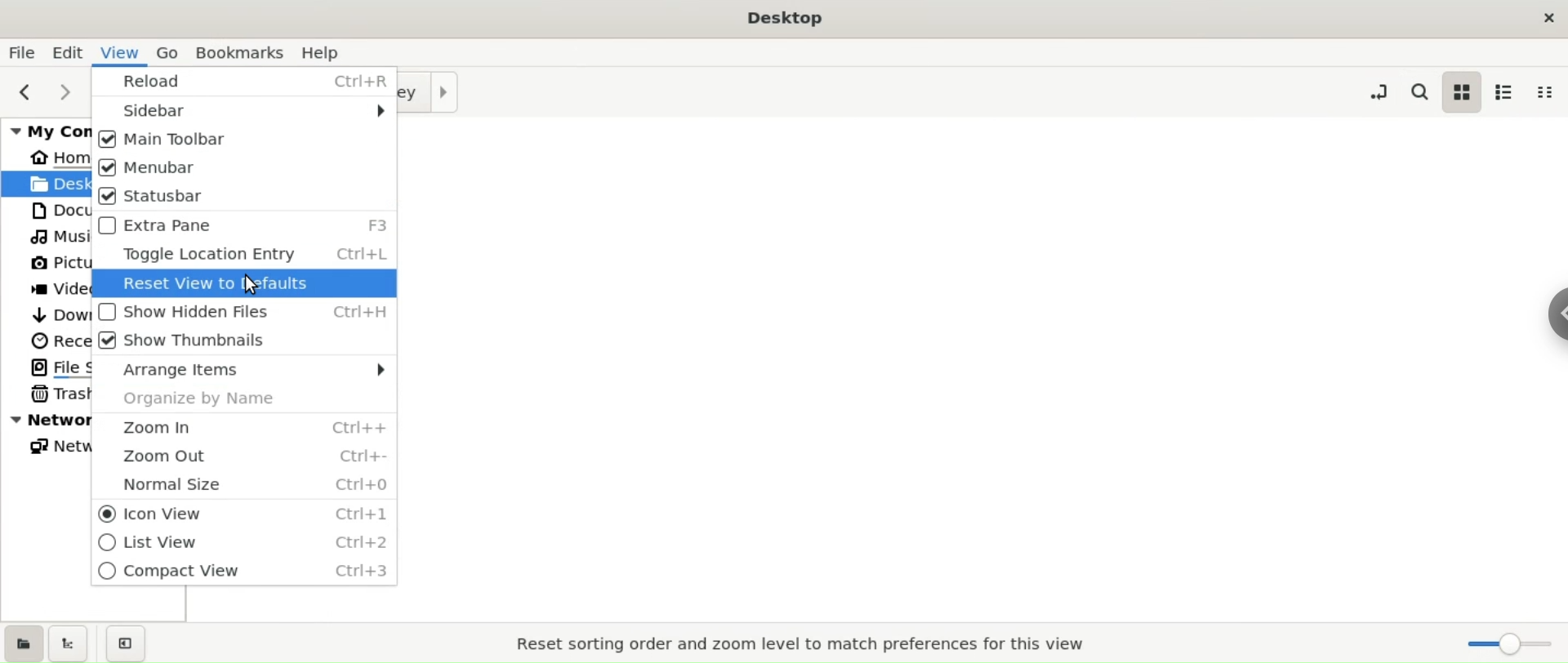 The width and height of the screenshot is (1568, 663). Describe the element at coordinates (238, 52) in the screenshot. I see `bookmarks` at that location.